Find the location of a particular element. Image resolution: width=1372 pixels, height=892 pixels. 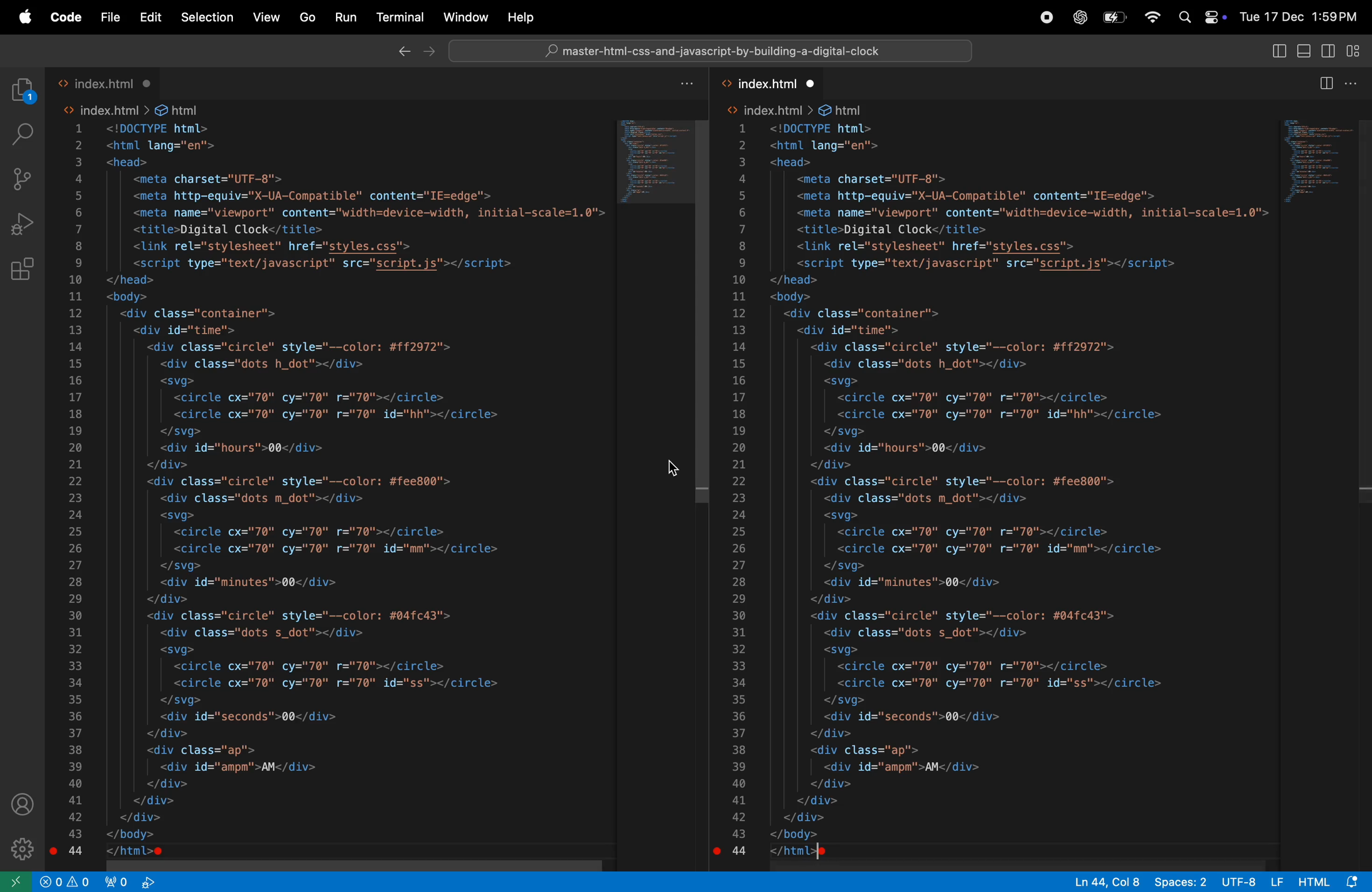

run debug is located at coordinates (22, 224).